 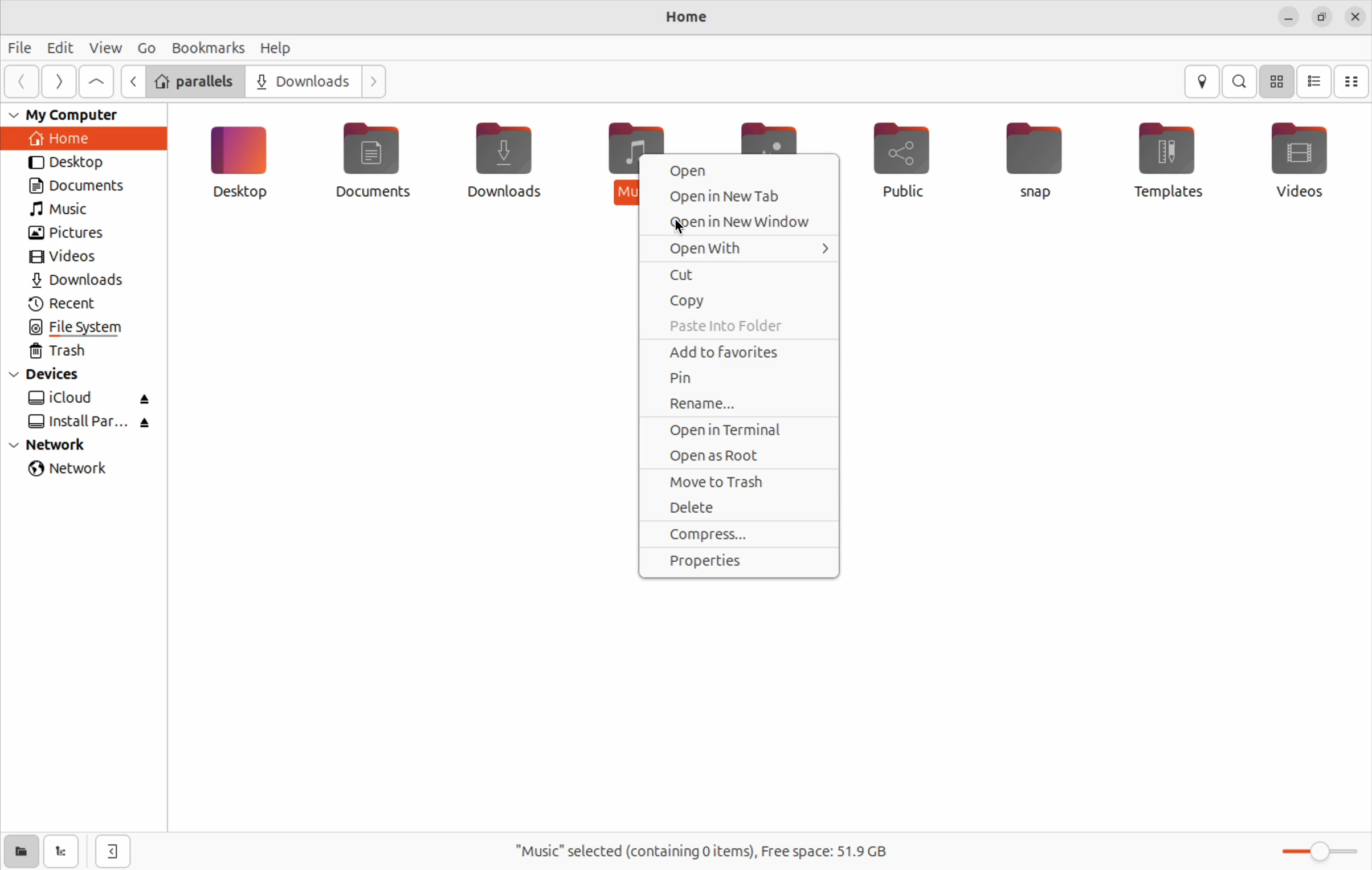 What do you see at coordinates (742, 507) in the screenshot?
I see `delete` at bounding box center [742, 507].